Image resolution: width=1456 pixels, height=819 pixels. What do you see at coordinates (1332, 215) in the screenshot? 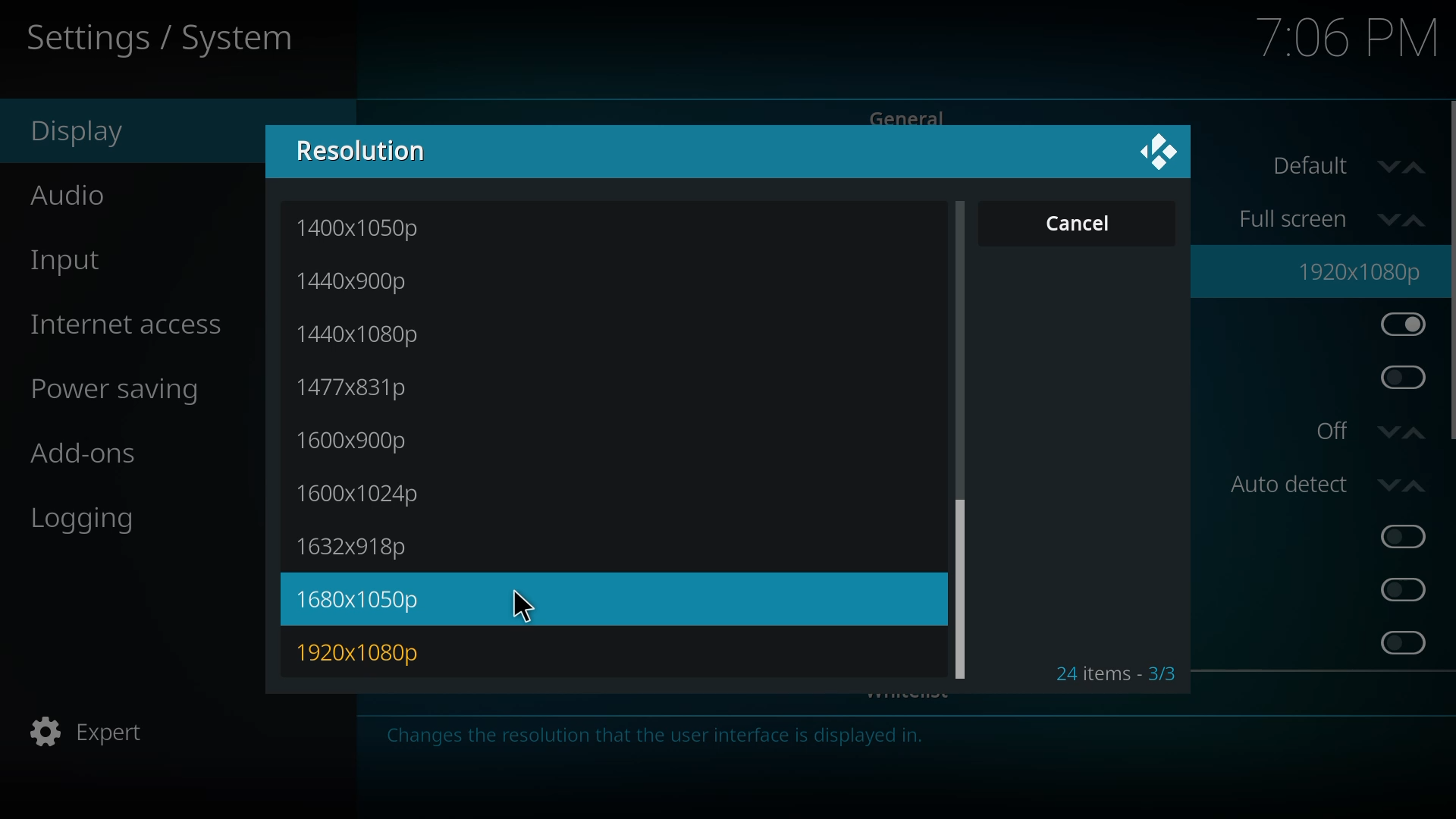
I see `fullscreen` at bounding box center [1332, 215].